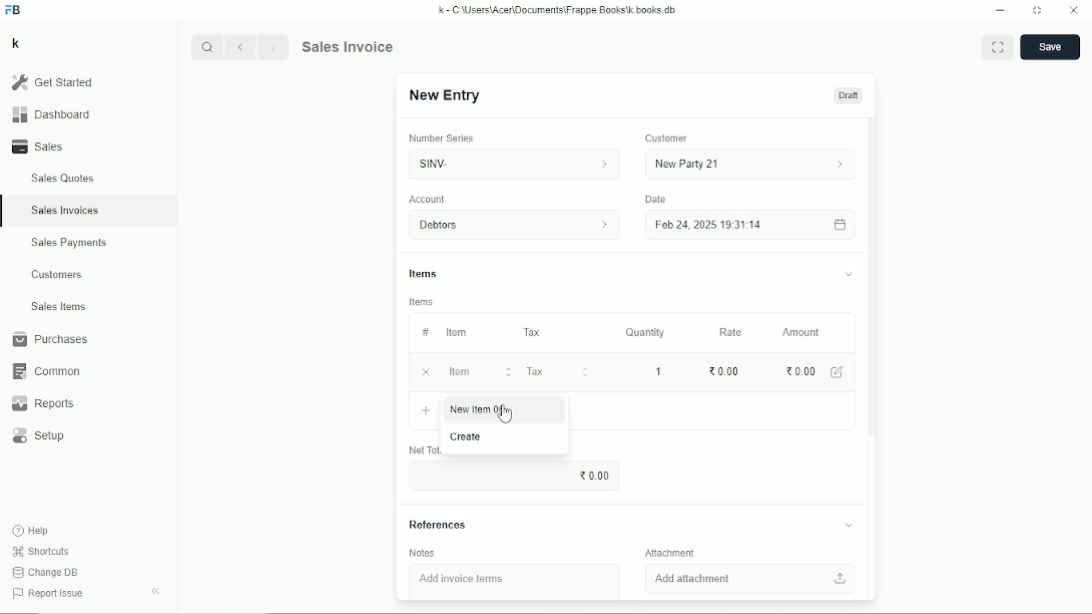 Image resolution: width=1092 pixels, height=614 pixels. What do you see at coordinates (244, 46) in the screenshot?
I see `Backward` at bounding box center [244, 46].